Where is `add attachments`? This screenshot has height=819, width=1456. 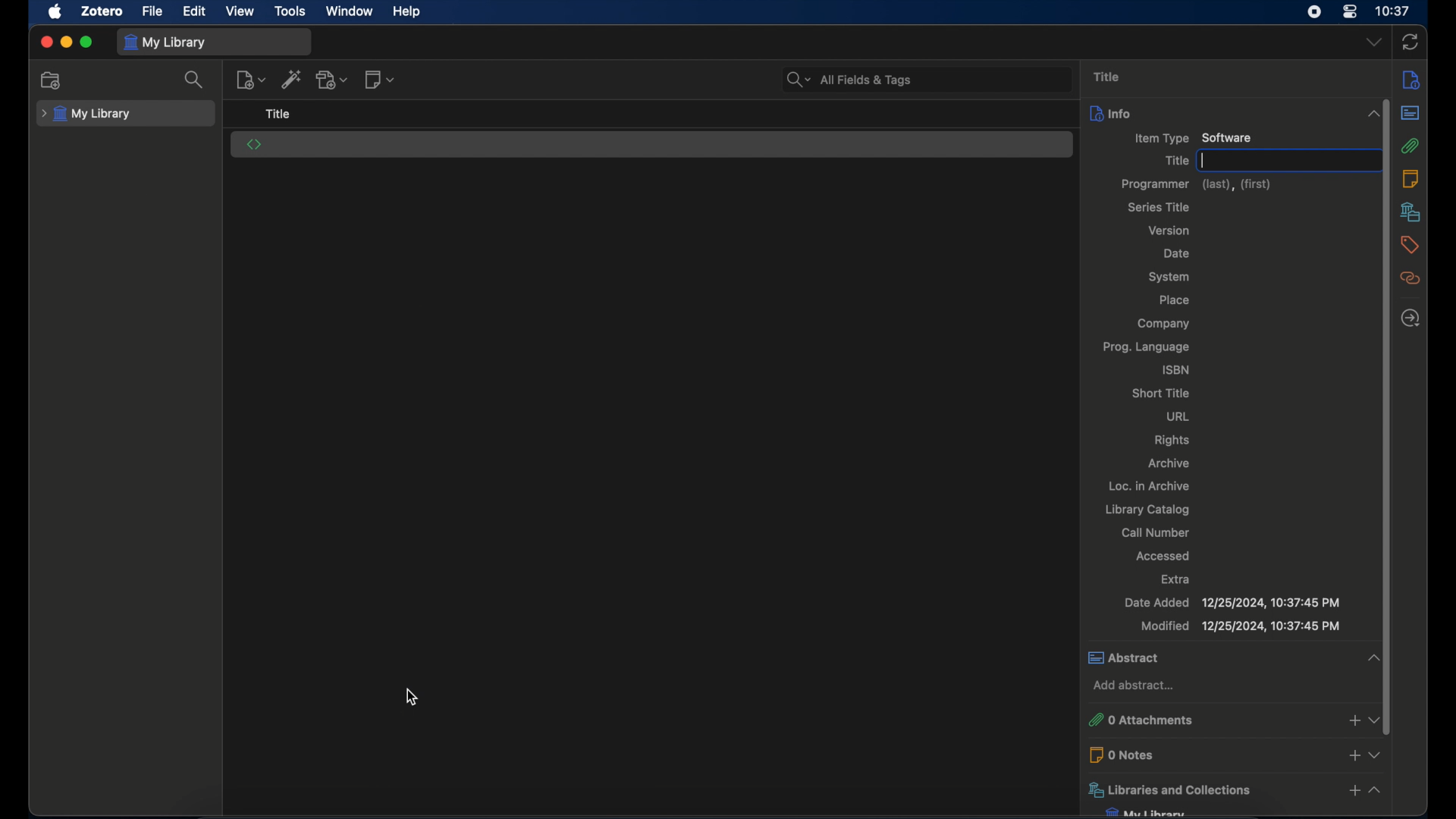
add attachments is located at coordinates (1353, 720).